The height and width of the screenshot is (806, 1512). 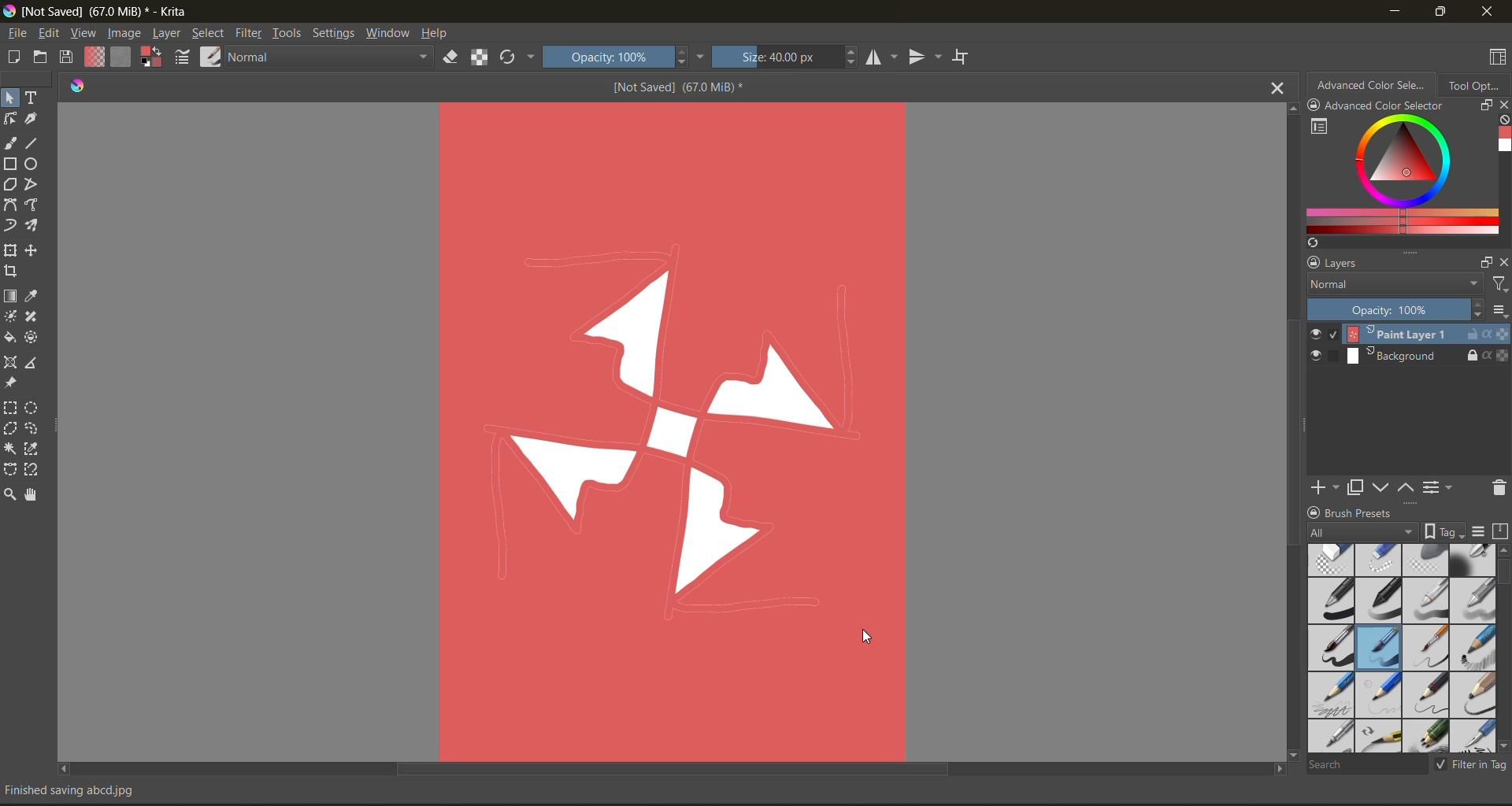 What do you see at coordinates (1384, 513) in the screenshot?
I see `Brush presets` at bounding box center [1384, 513].